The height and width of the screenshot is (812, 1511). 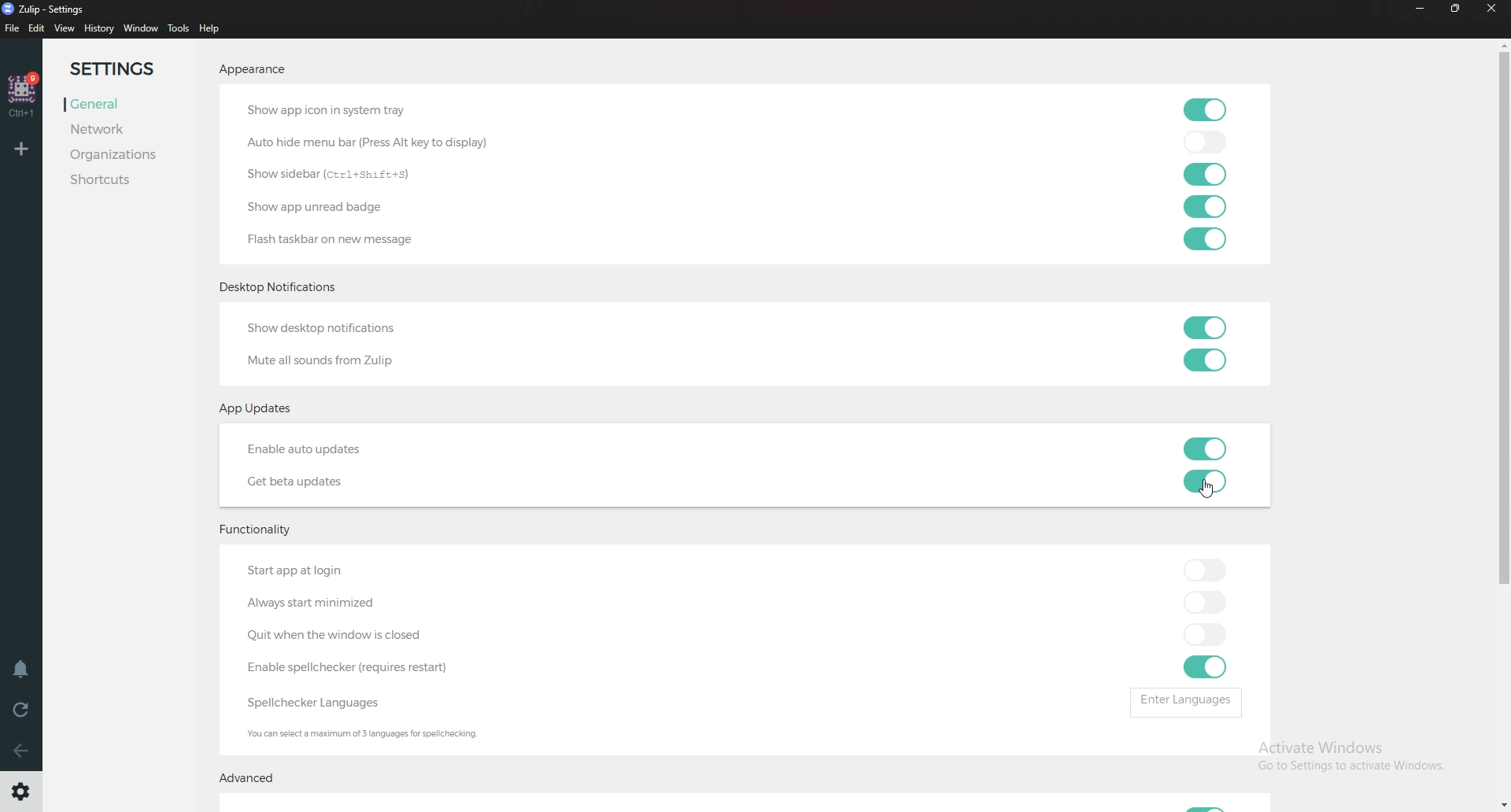 What do you see at coordinates (1210, 491) in the screenshot?
I see `Cursor` at bounding box center [1210, 491].